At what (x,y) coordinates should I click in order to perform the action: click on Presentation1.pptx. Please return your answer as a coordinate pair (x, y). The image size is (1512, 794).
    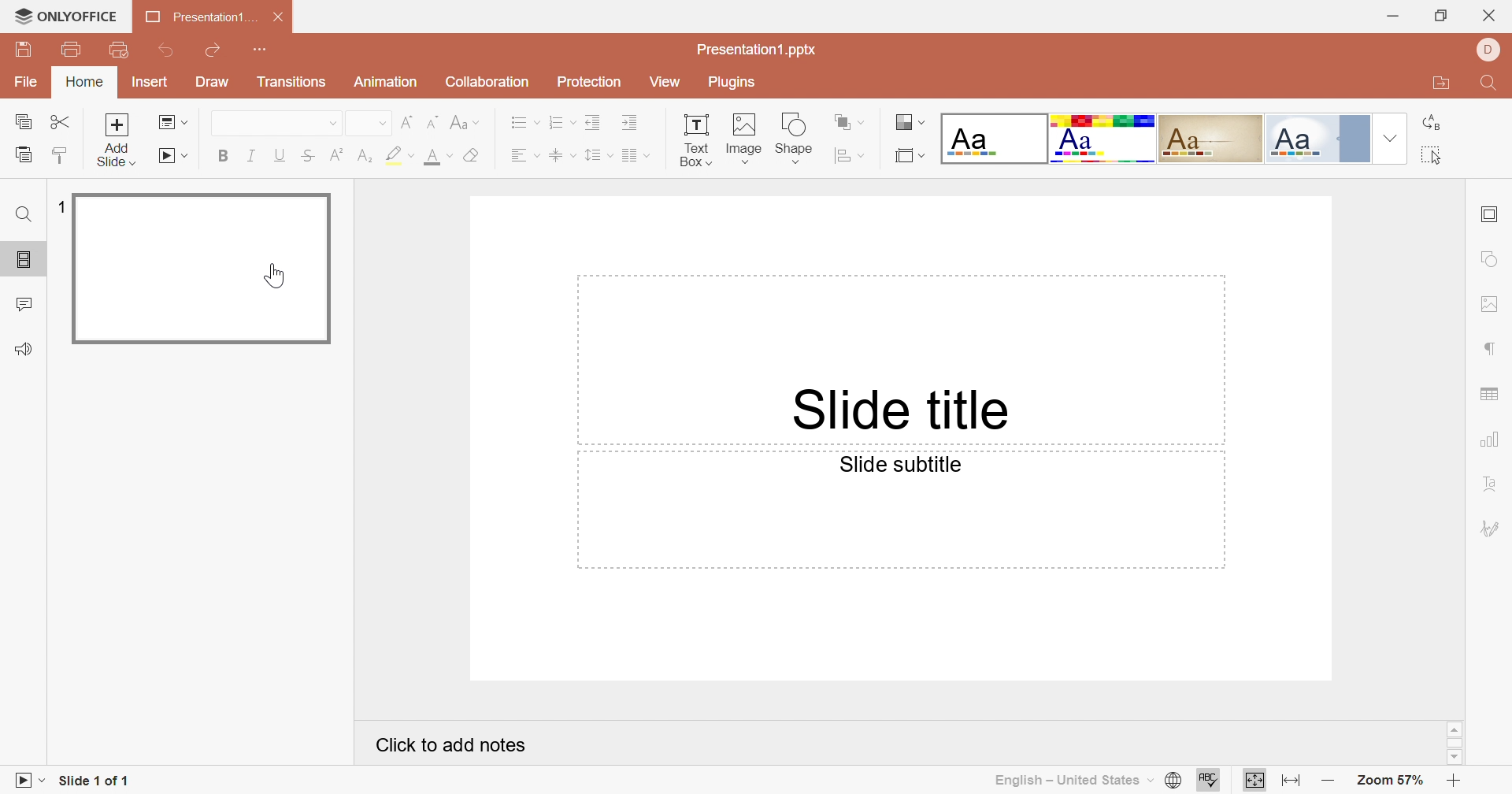
    Looking at the image, I should click on (758, 50).